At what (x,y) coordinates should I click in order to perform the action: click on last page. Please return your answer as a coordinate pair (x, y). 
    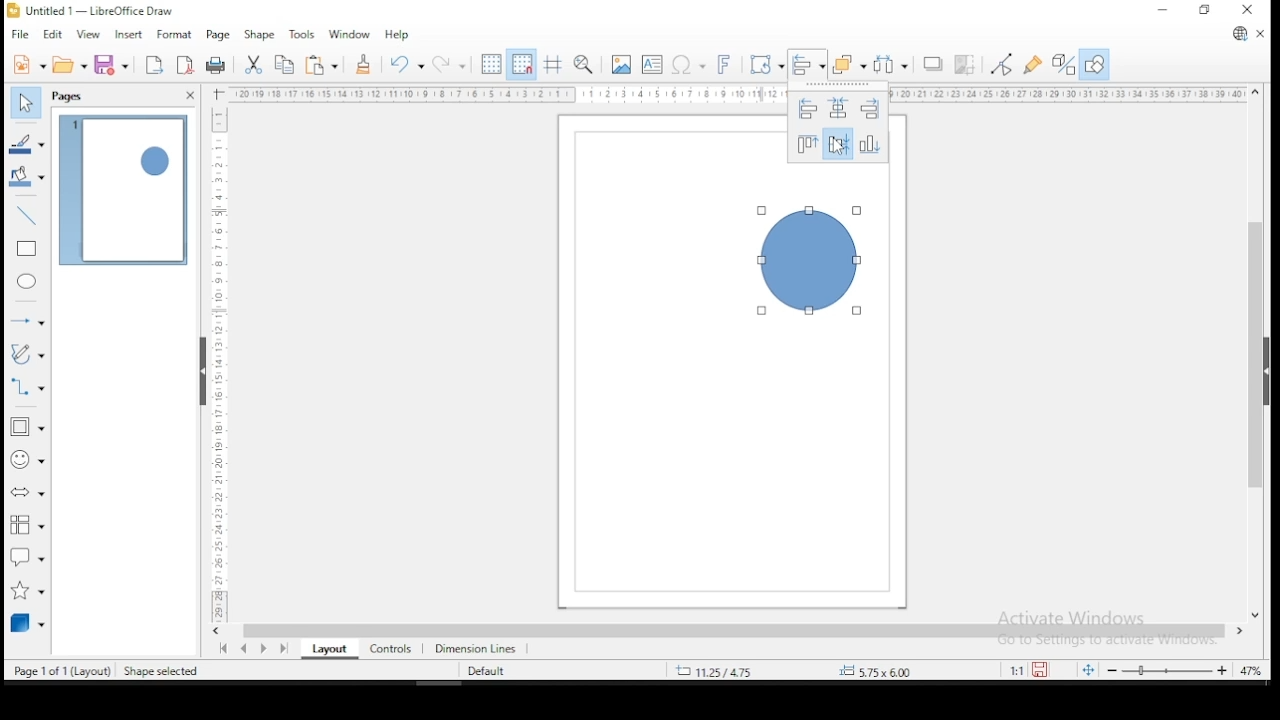
    Looking at the image, I should click on (287, 647).